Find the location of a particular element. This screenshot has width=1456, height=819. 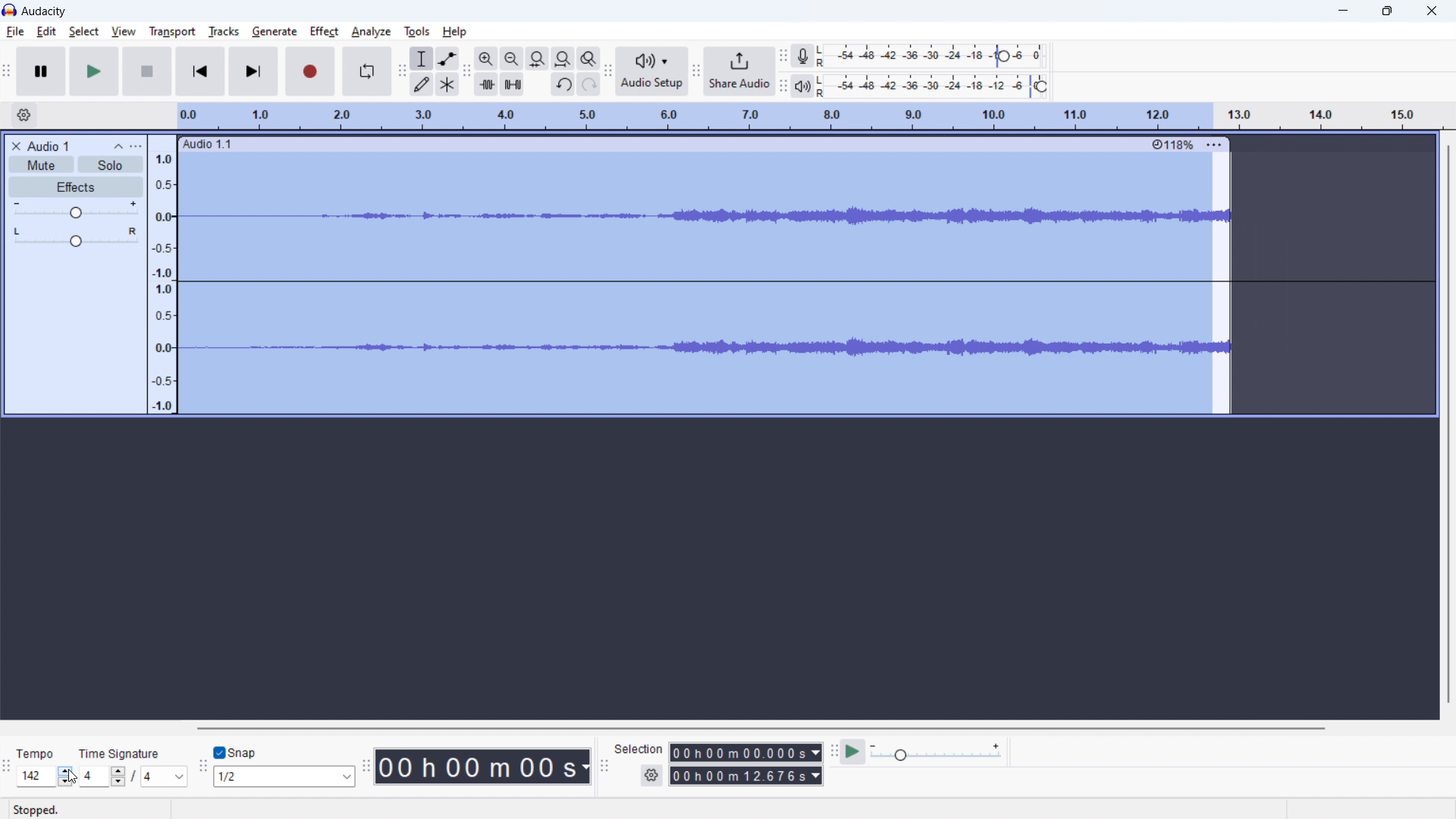

help is located at coordinates (456, 32).